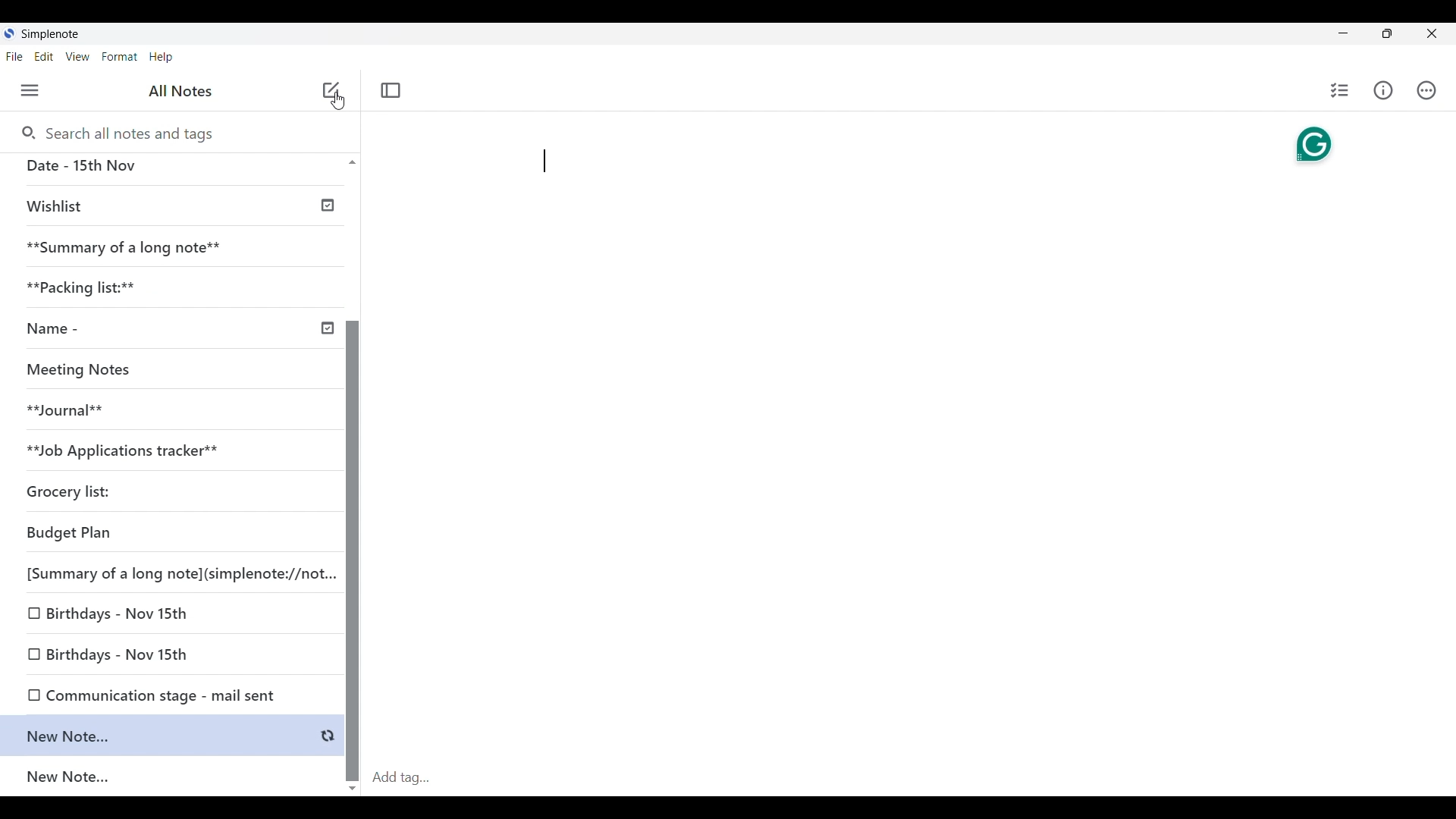 The width and height of the screenshot is (1456, 819). I want to click on New Note..., so click(174, 778).